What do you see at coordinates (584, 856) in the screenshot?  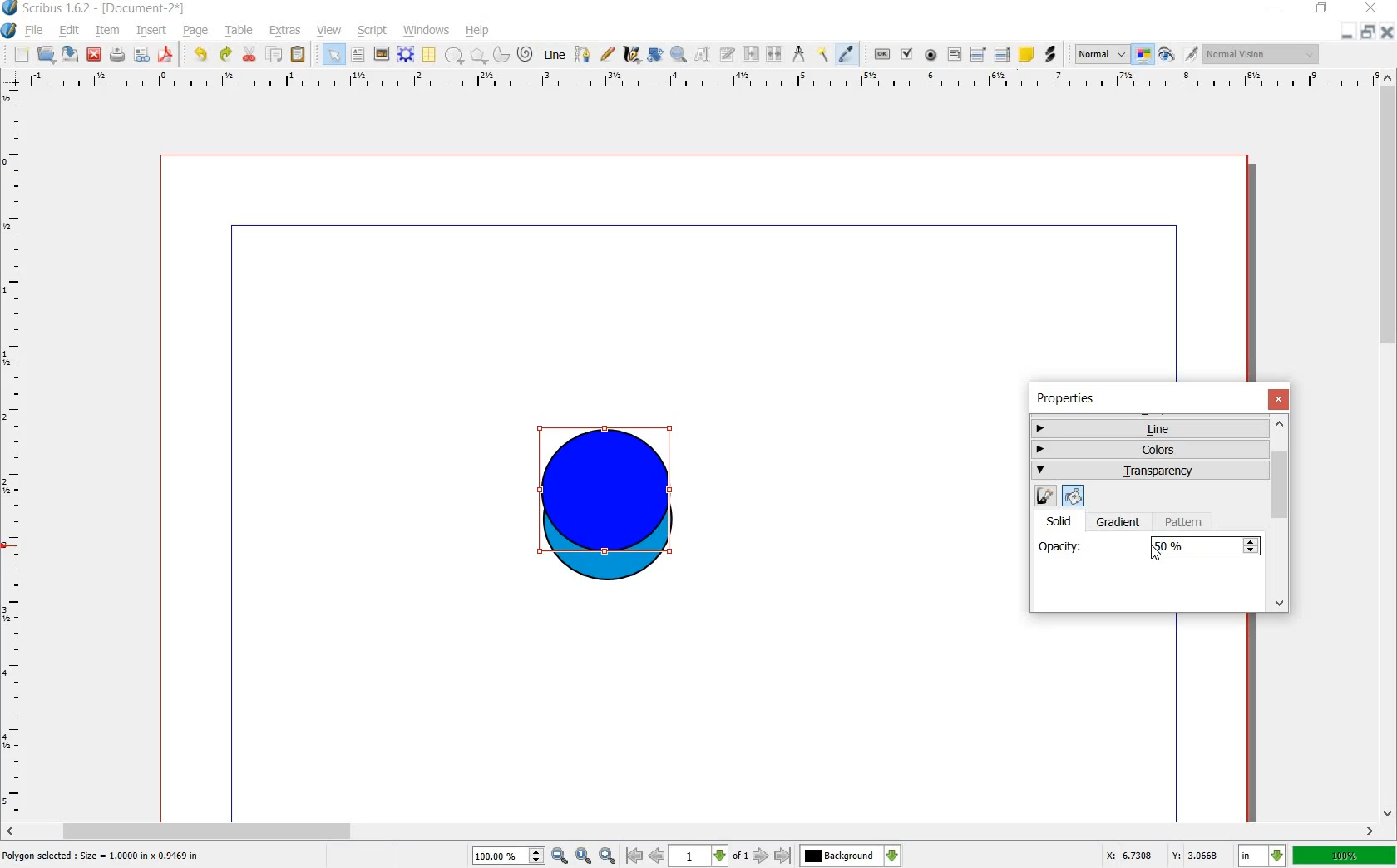 I see `zoom to` at bounding box center [584, 856].